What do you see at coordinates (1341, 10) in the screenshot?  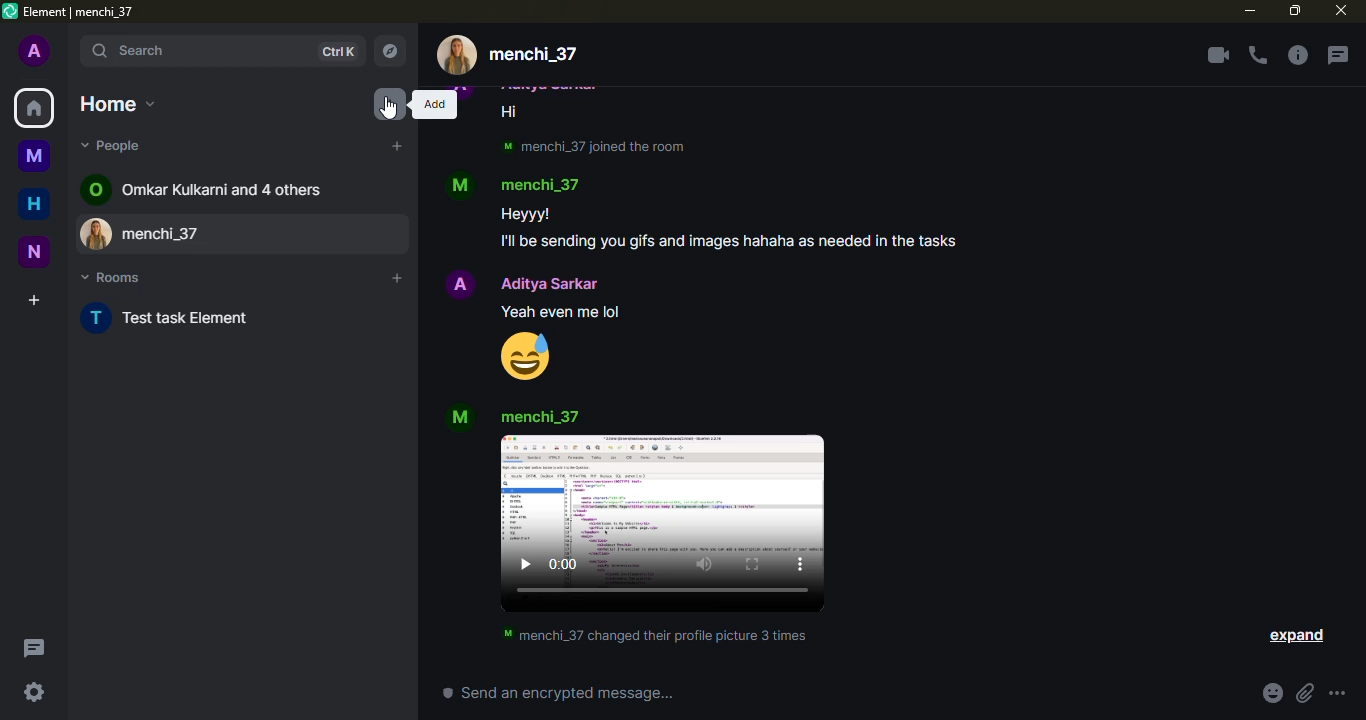 I see `close` at bounding box center [1341, 10].